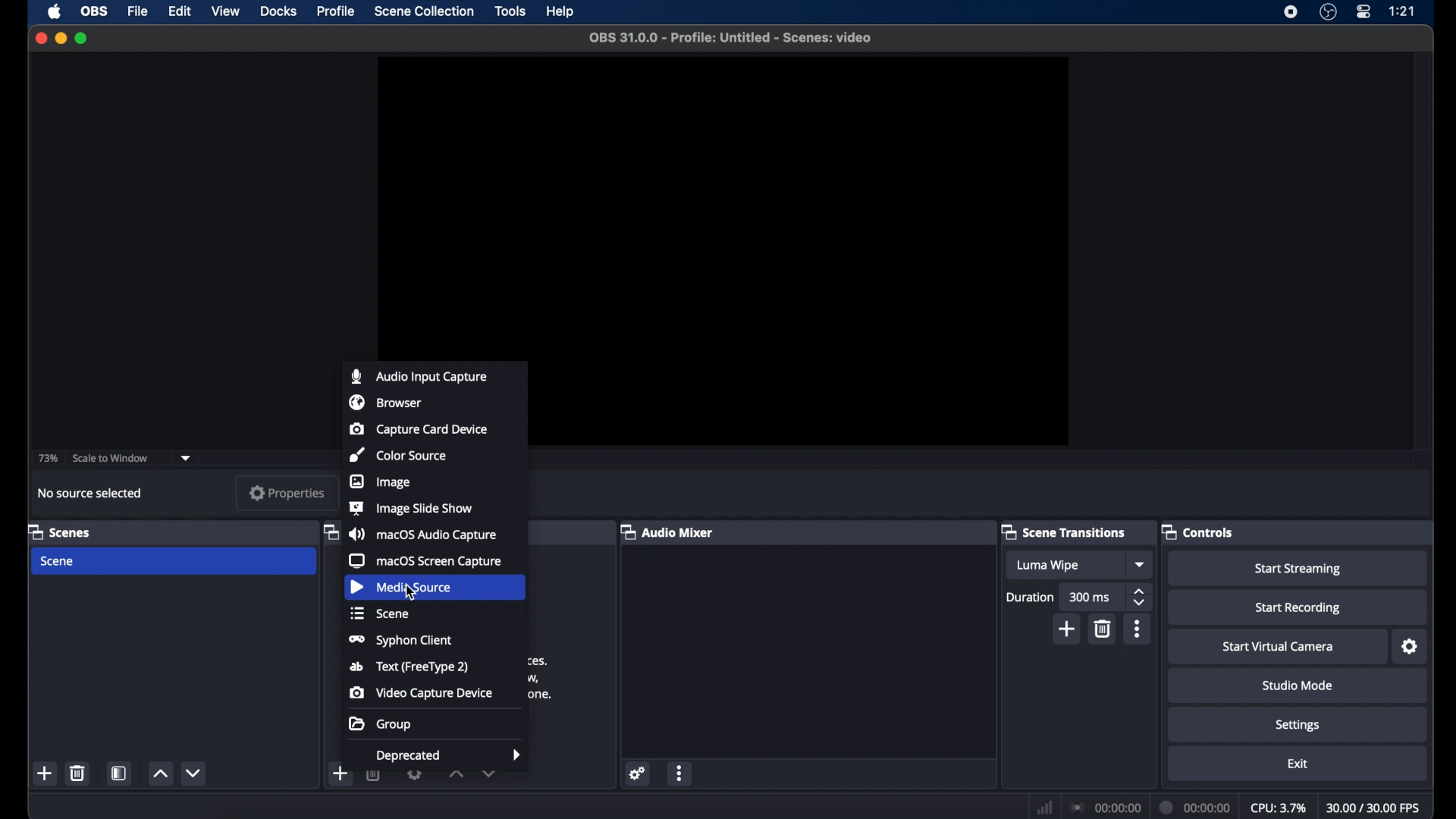 The height and width of the screenshot is (819, 1456). What do you see at coordinates (449, 757) in the screenshot?
I see `deprecated` at bounding box center [449, 757].